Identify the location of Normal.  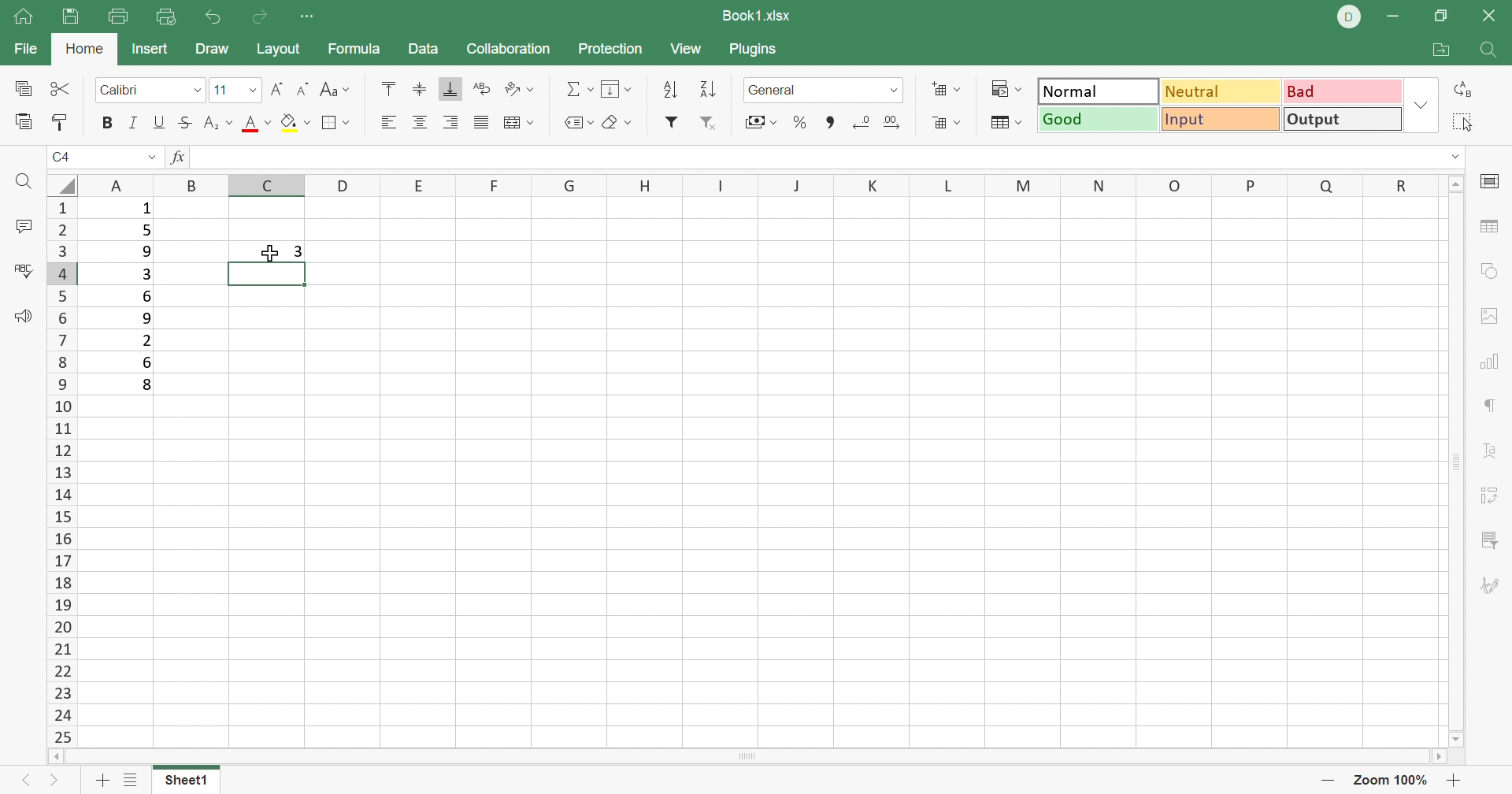
(1096, 89).